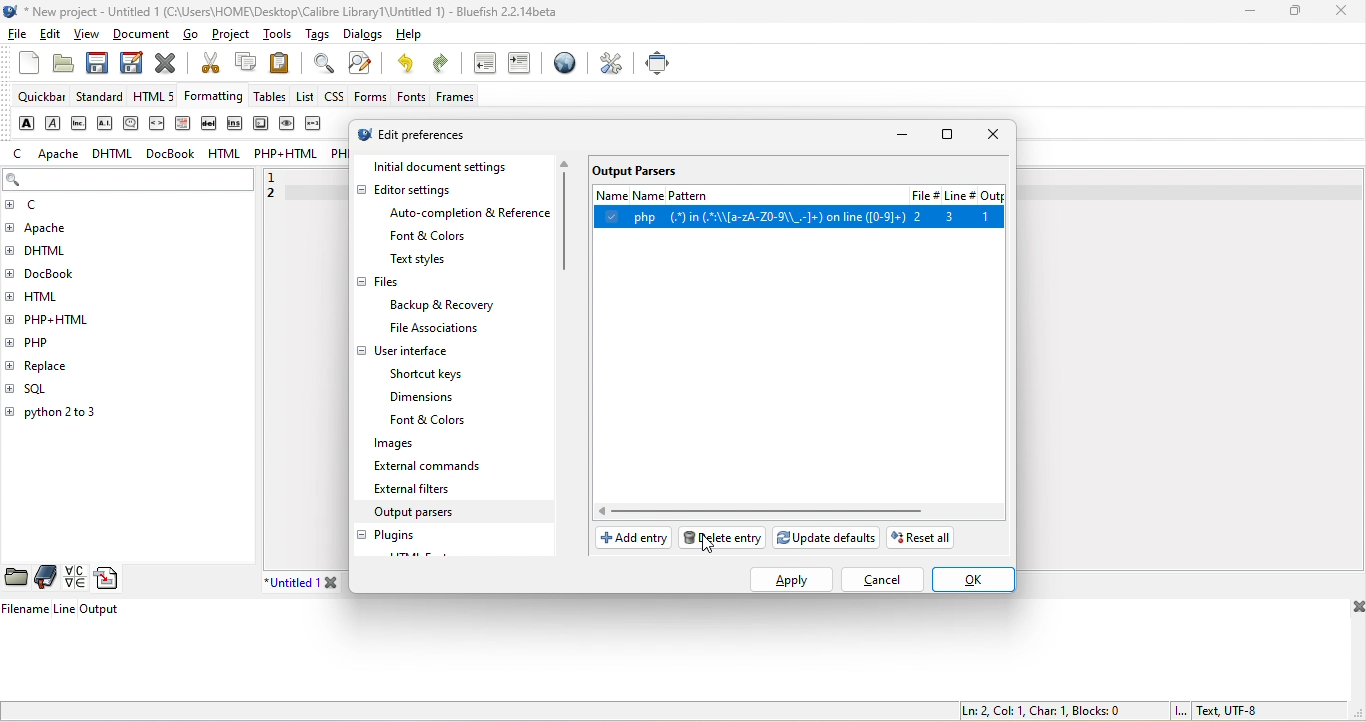  Describe the element at coordinates (335, 99) in the screenshot. I see `css` at that location.